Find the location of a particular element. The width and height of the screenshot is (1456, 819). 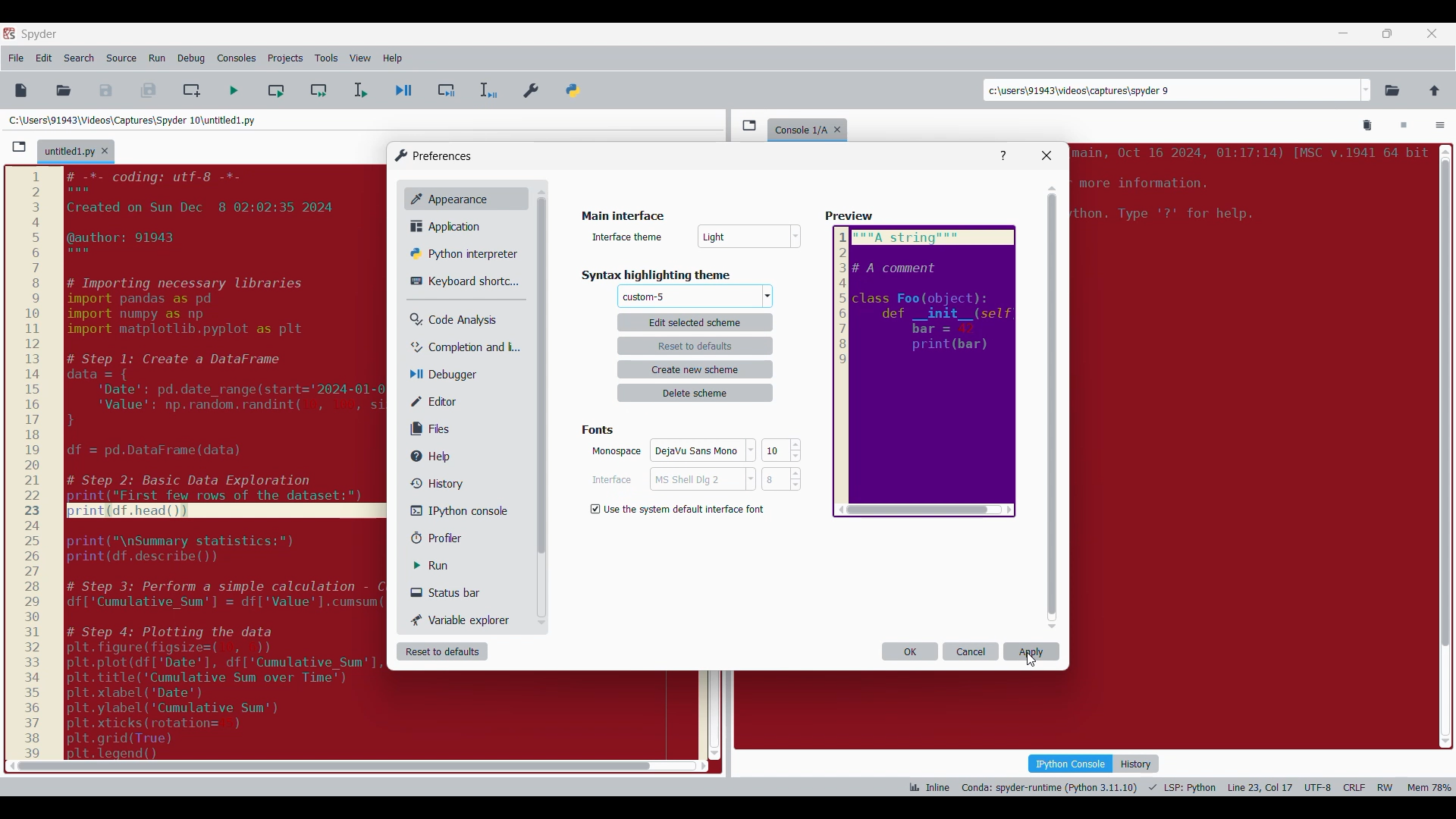

Python interpreter is located at coordinates (460, 253).